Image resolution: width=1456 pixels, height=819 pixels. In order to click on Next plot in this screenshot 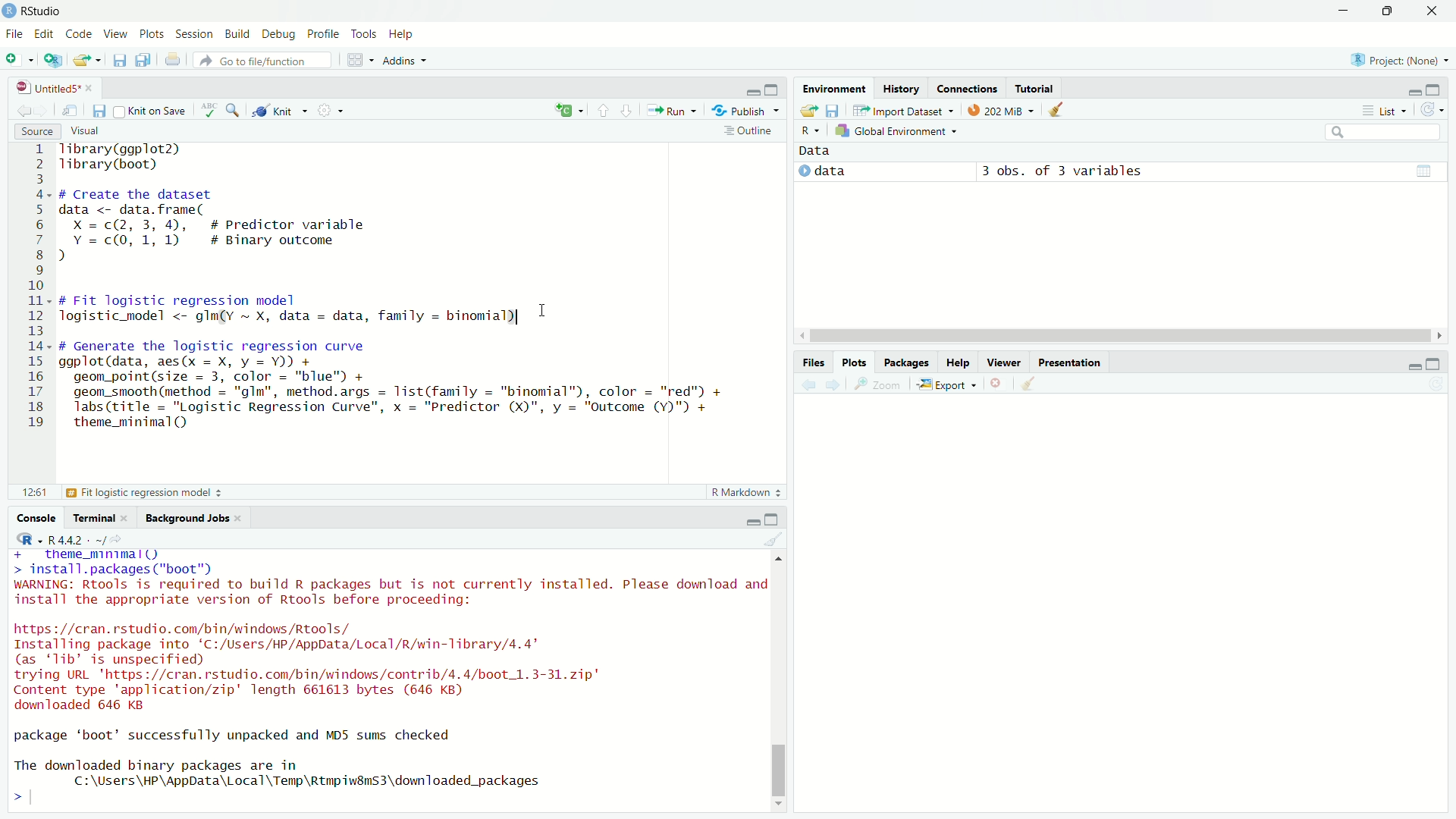, I will do `click(833, 384)`.